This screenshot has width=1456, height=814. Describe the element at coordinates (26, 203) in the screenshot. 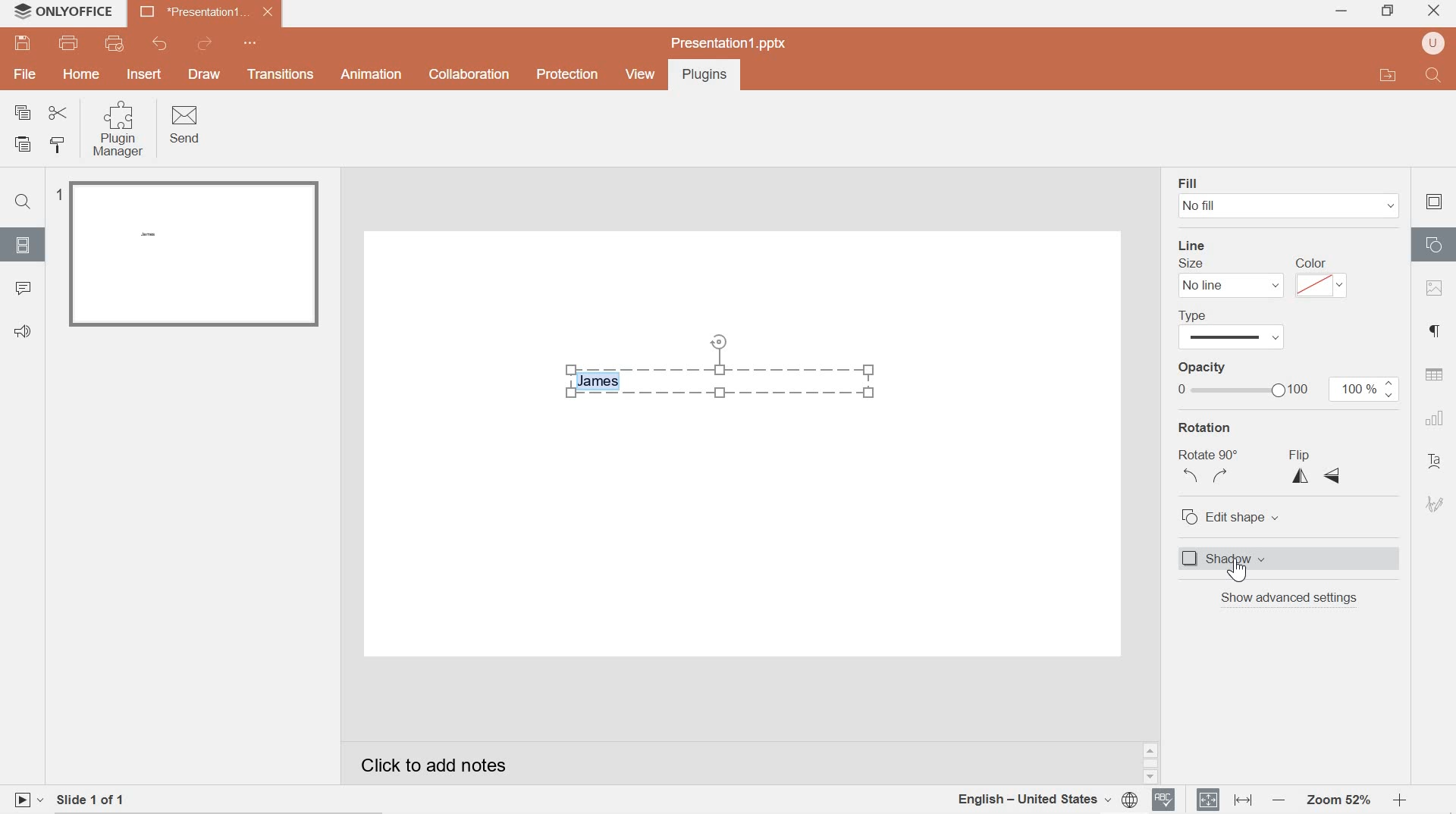

I see `Find` at that location.